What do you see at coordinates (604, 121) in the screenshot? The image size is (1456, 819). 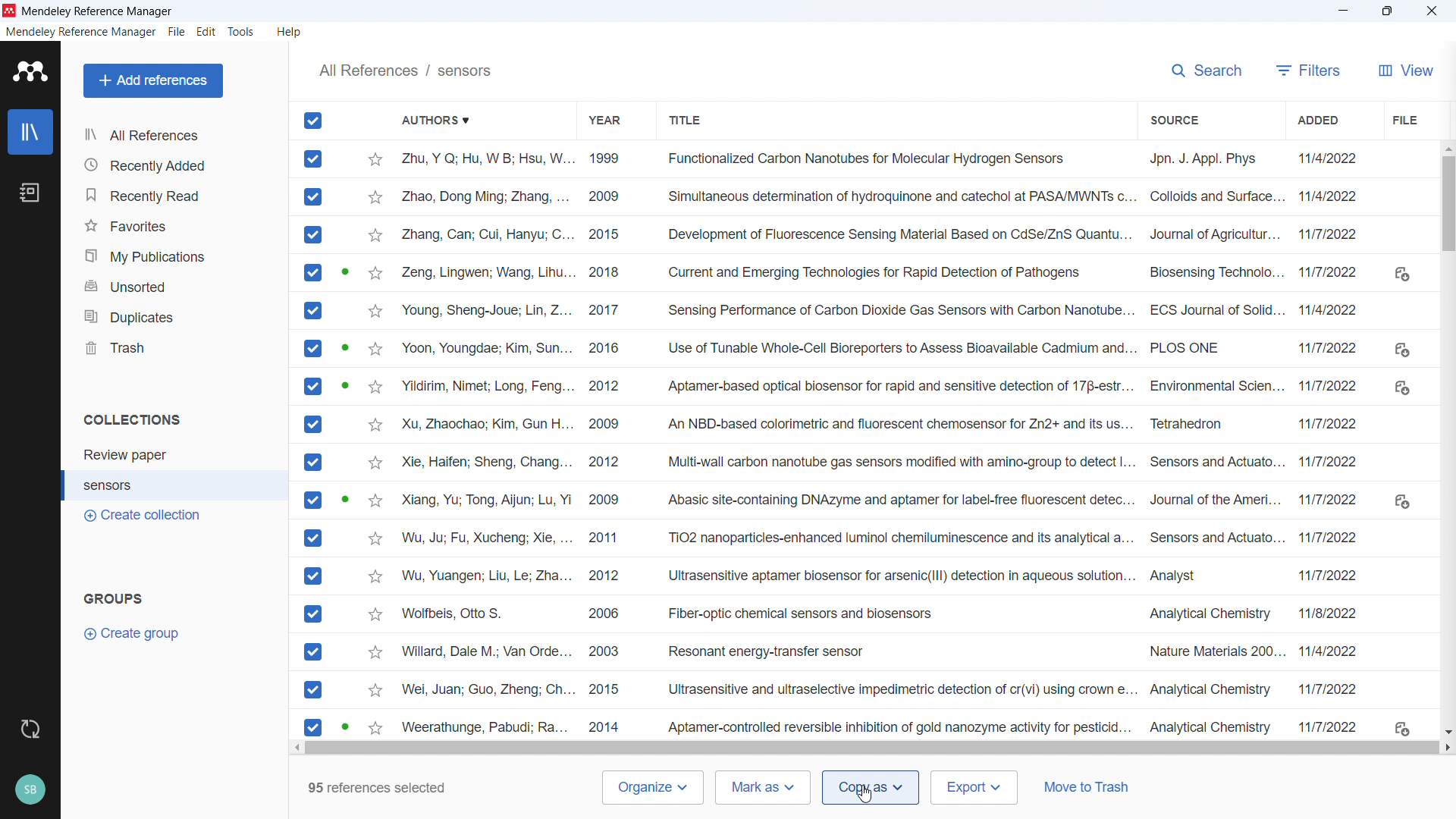 I see `Sort by year of publication ` at bounding box center [604, 121].